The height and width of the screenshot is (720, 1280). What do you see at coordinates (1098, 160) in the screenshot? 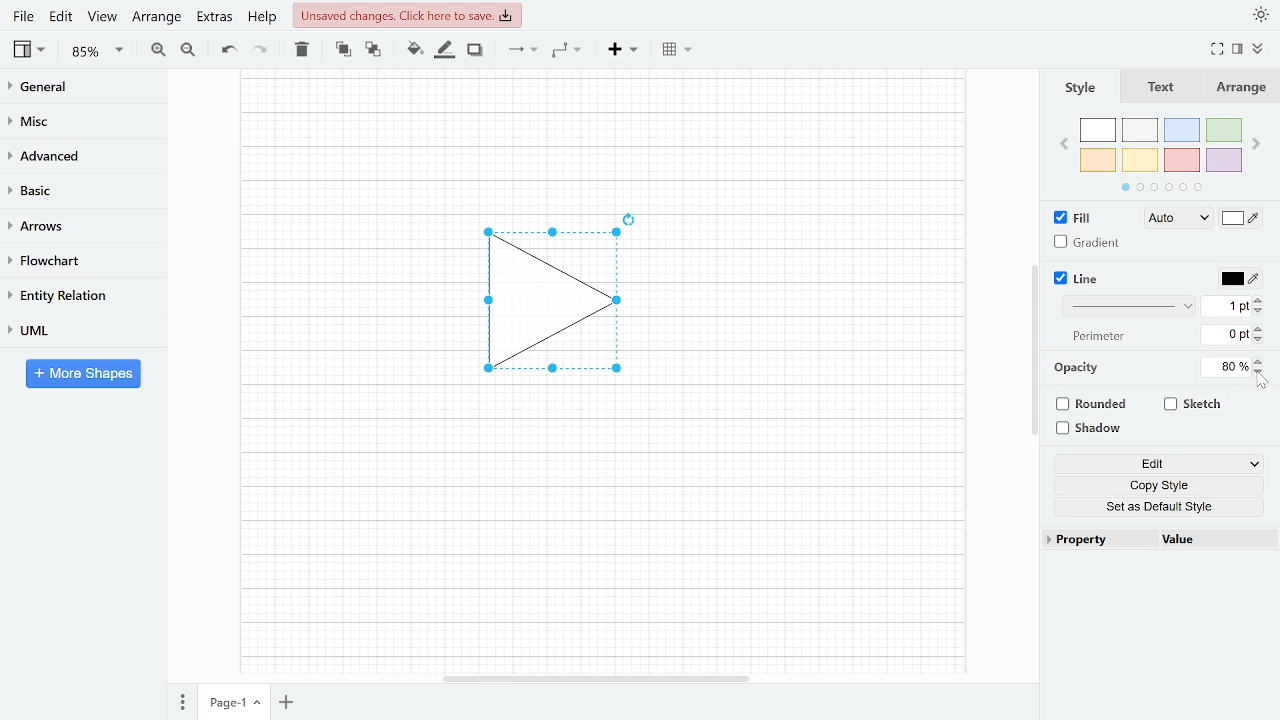
I see `orange` at bounding box center [1098, 160].